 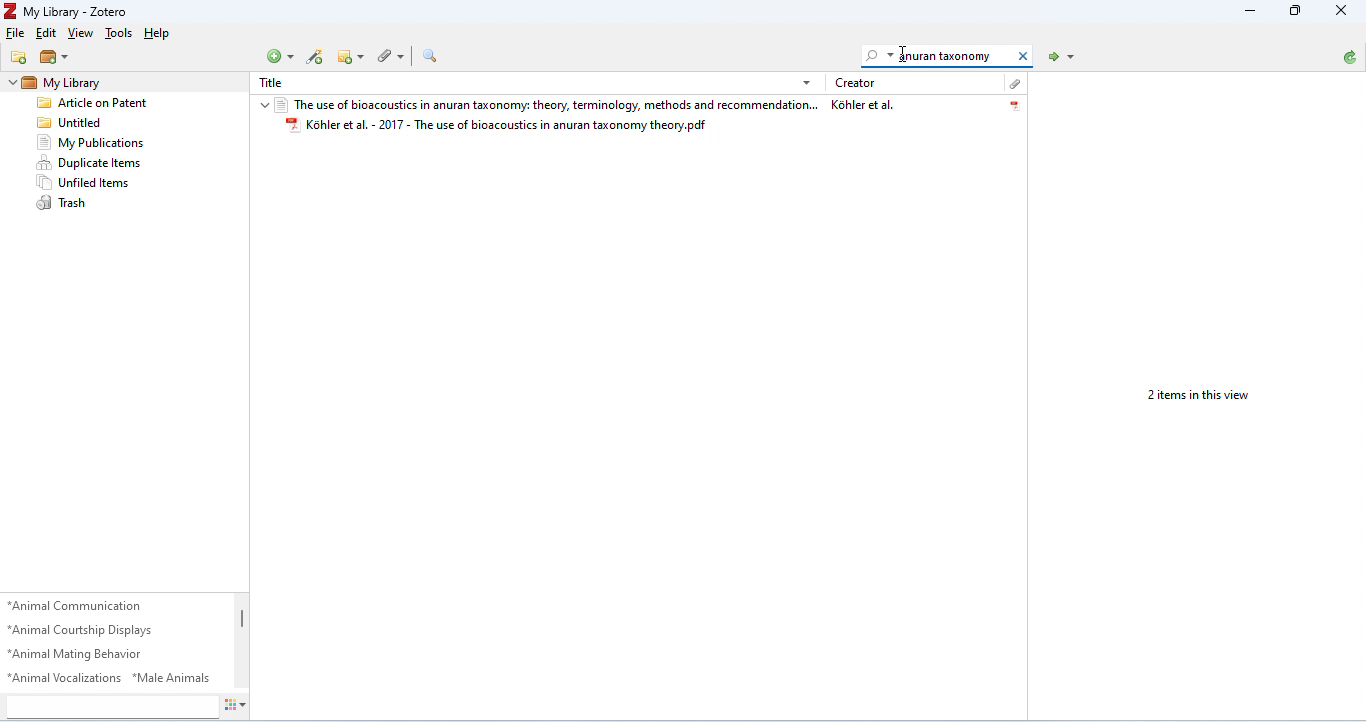 I want to click on [4 Untitled, so click(x=104, y=121).